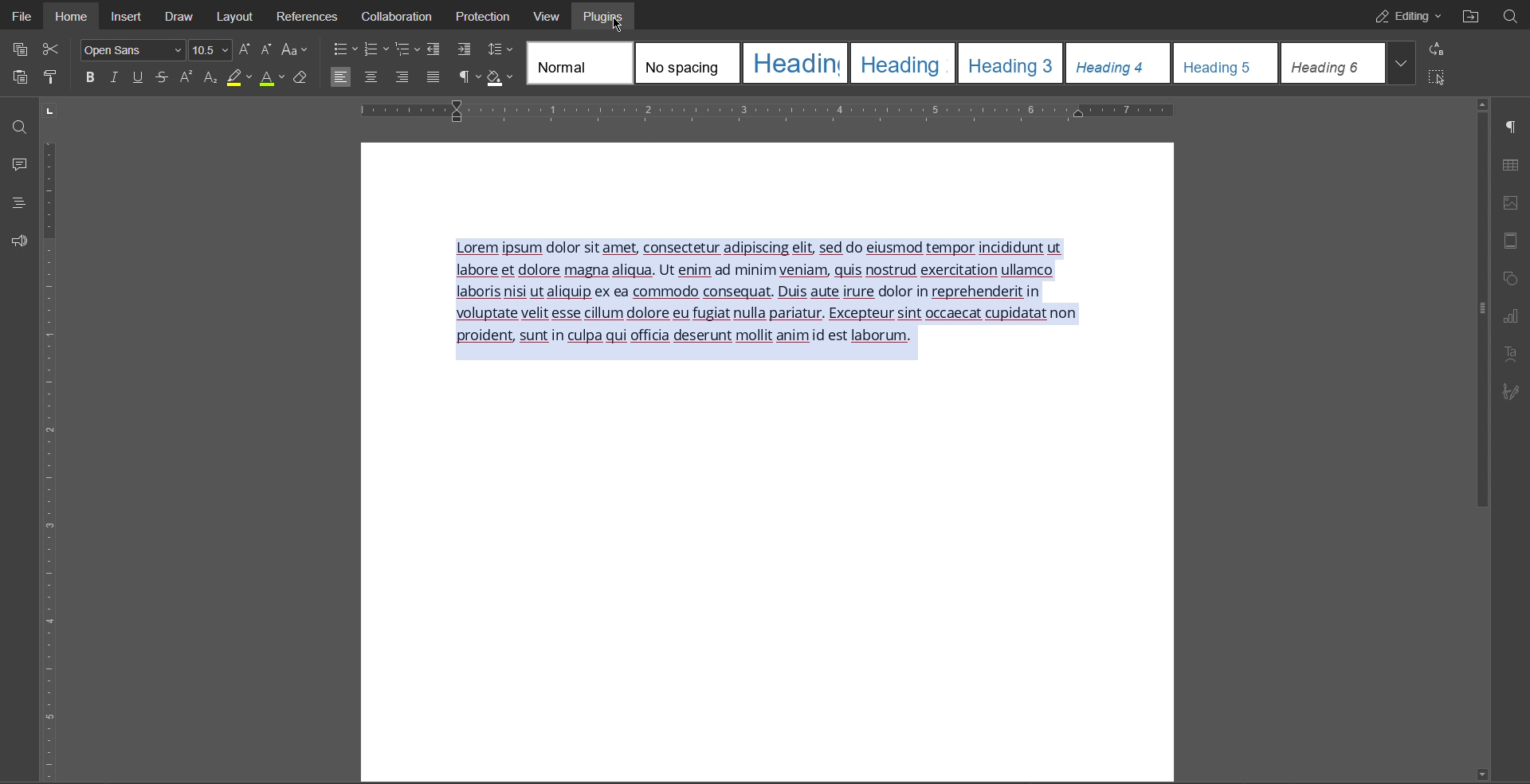  I want to click on Increase Text Size, so click(245, 49).